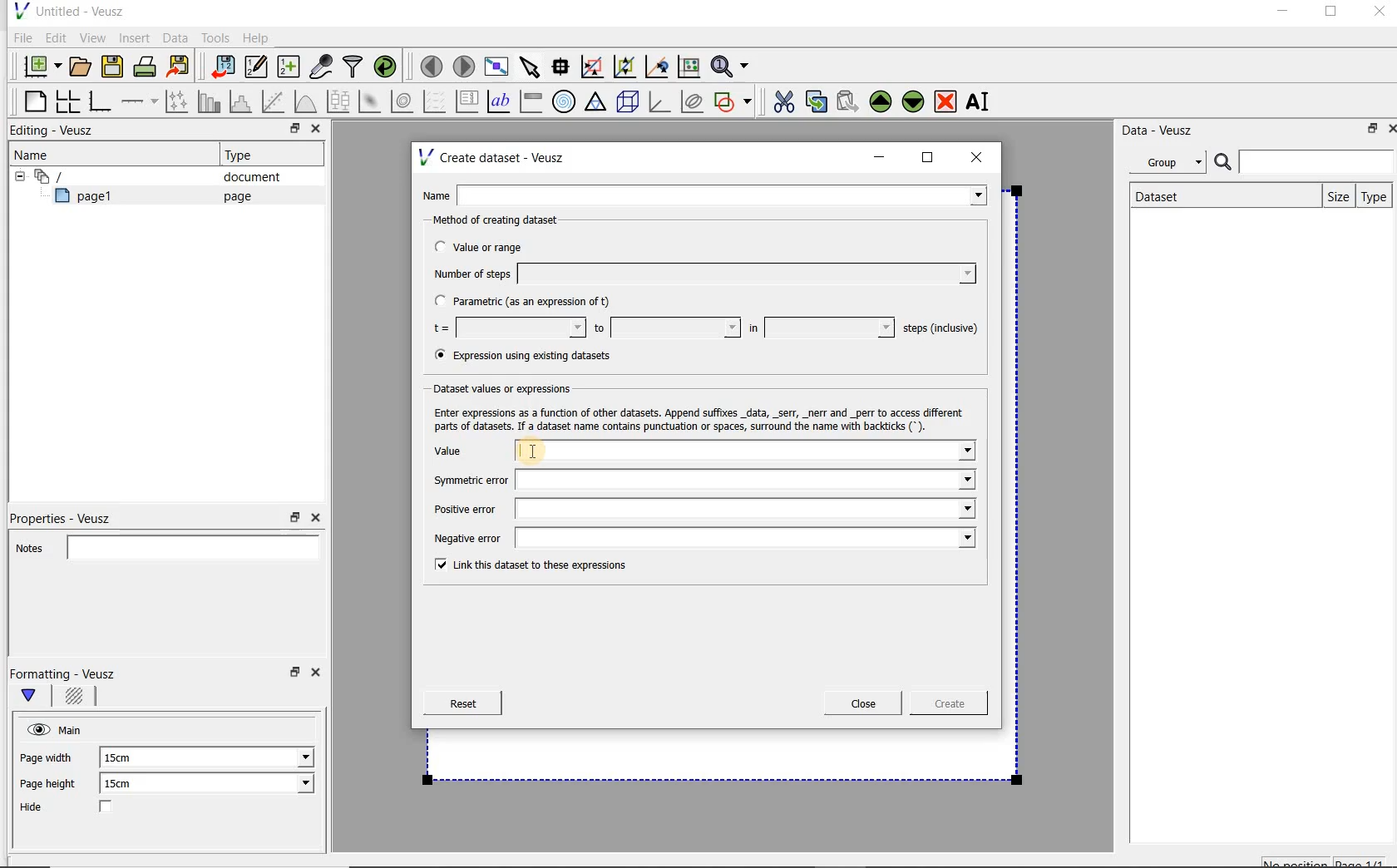 Image resolution: width=1397 pixels, height=868 pixels. What do you see at coordinates (914, 101) in the screenshot?
I see `Move the selected widget down` at bounding box center [914, 101].